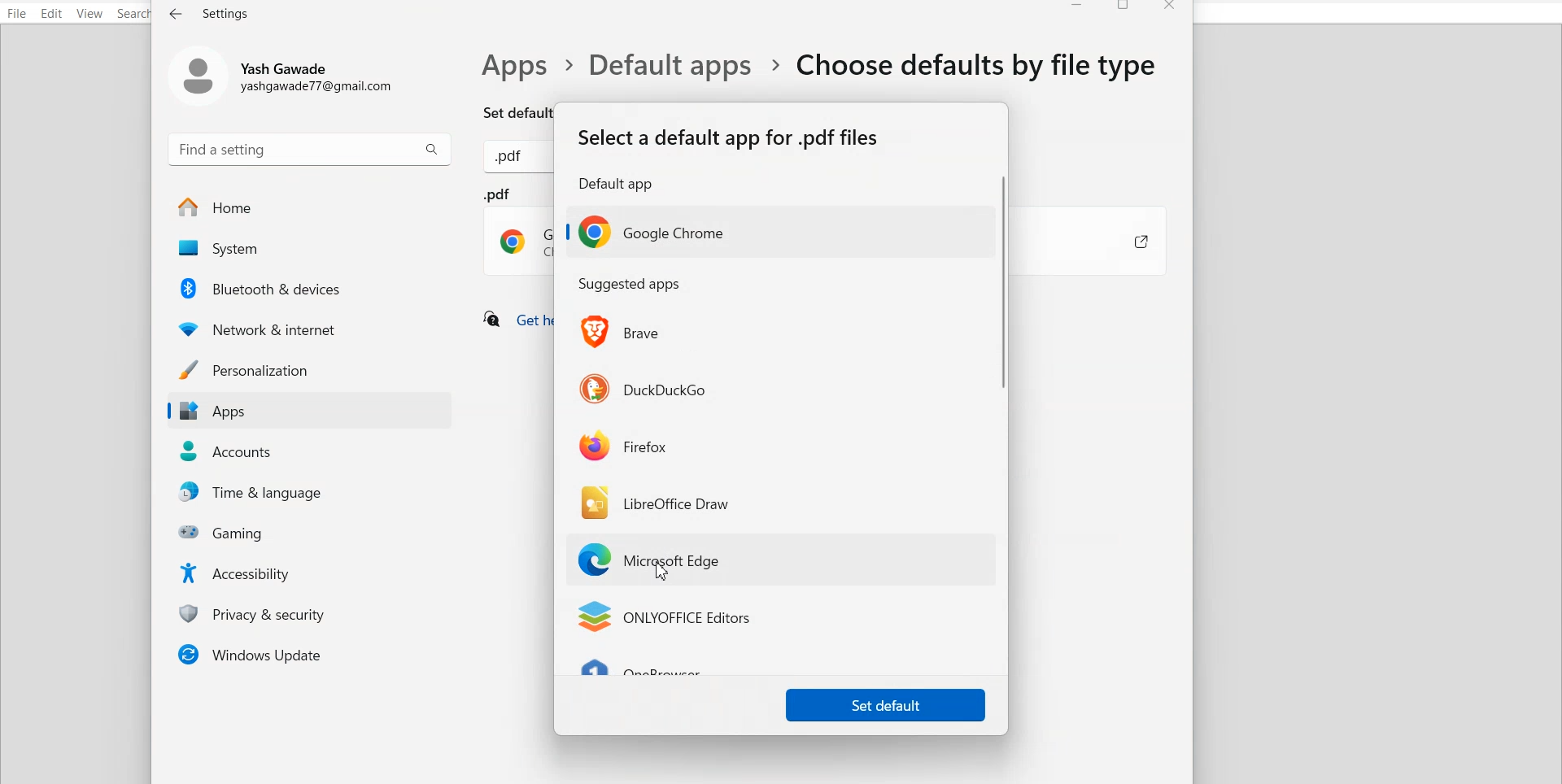  What do you see at coordinates (649, 232) in the screenshot?
I see `Google chrome` at bounding box center [649, 232].